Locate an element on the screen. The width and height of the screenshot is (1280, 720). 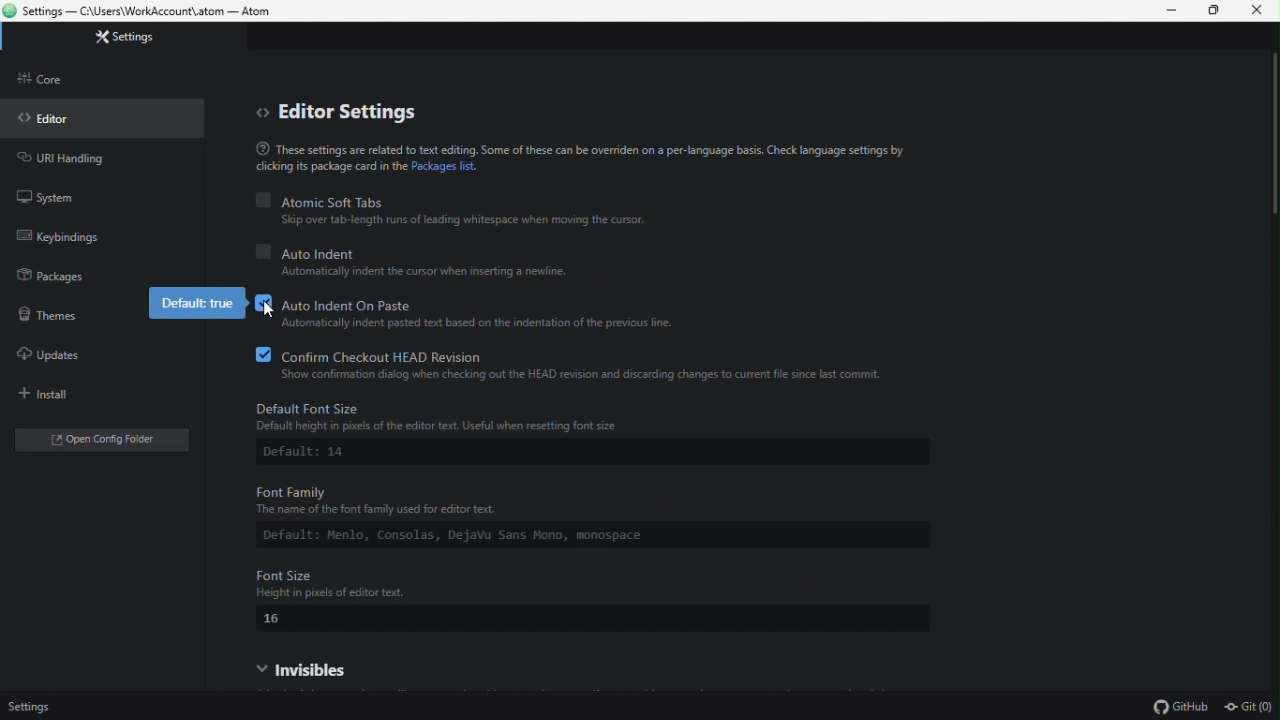
Open folder is located at coordinates (107, 443).